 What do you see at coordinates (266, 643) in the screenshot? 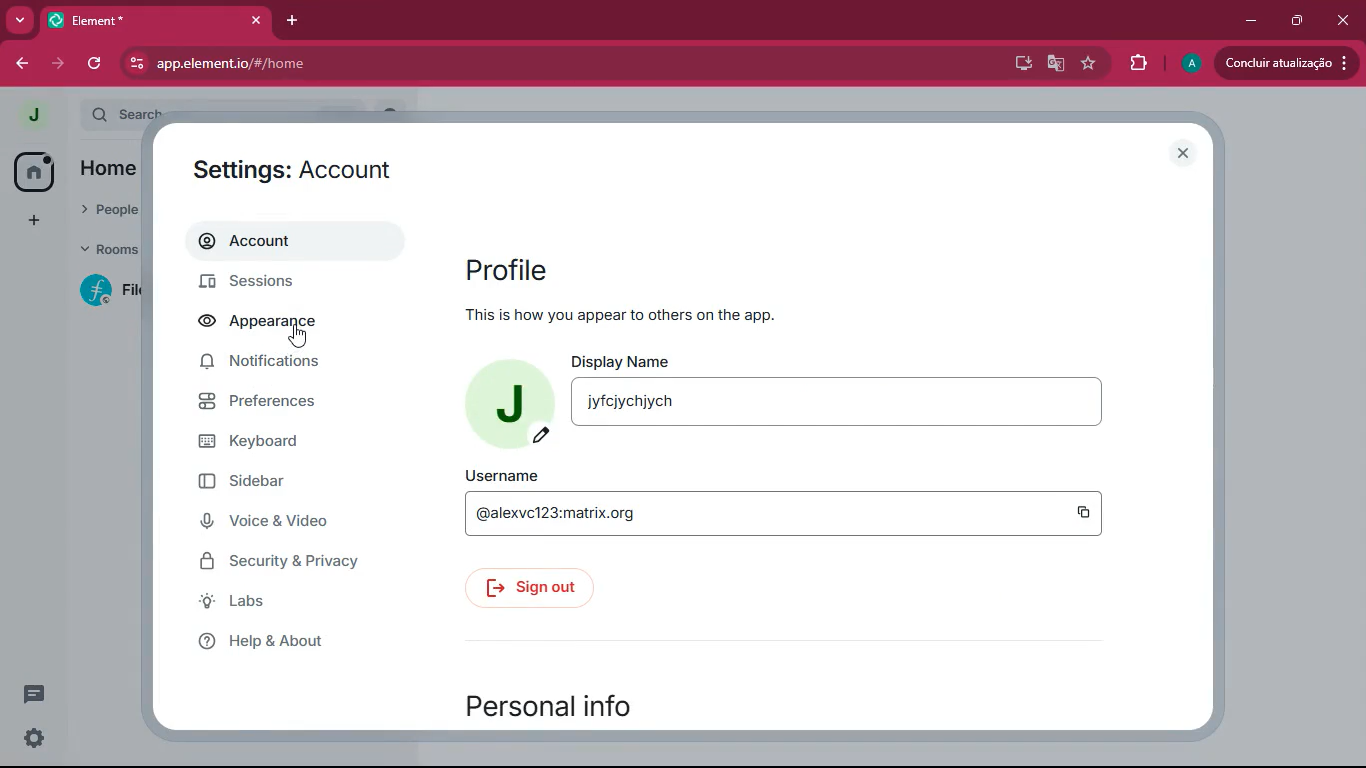
I see `Help & About` at bounding box center [266, 643].